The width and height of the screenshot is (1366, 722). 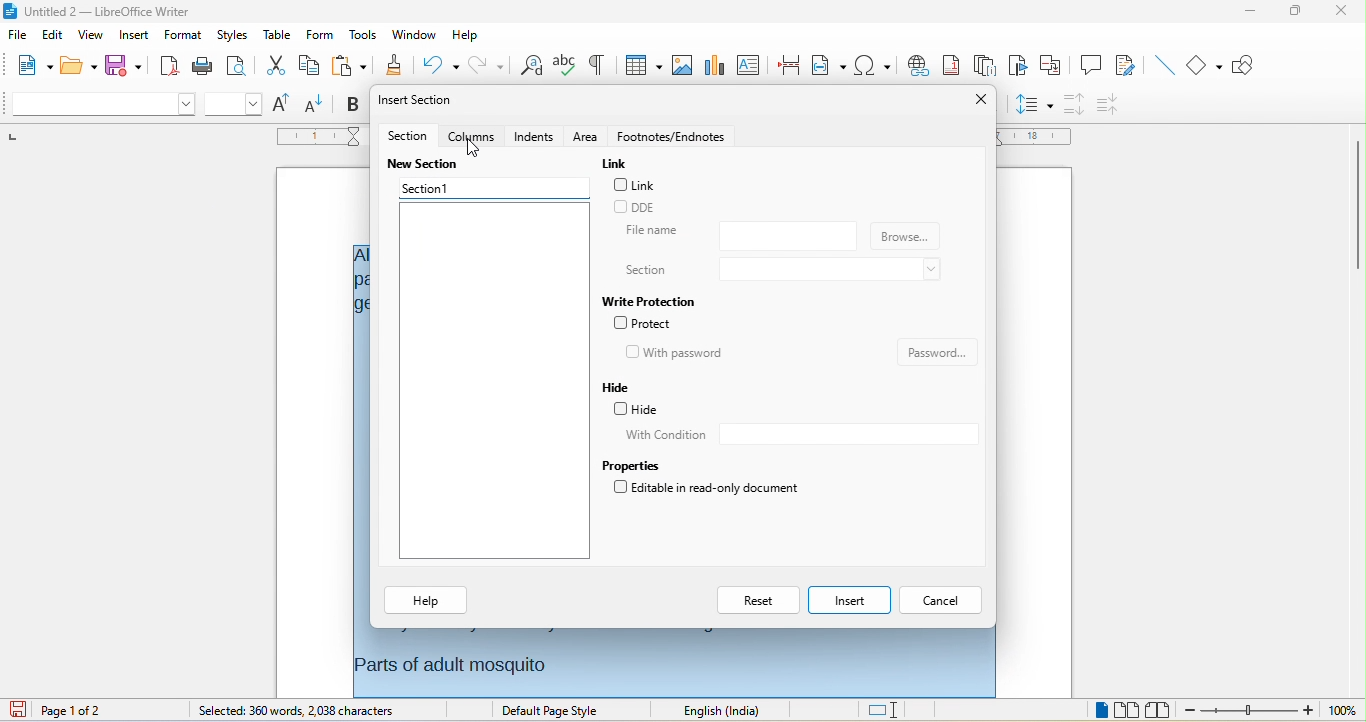 I want to click on columns, so click(x=473, y=136).